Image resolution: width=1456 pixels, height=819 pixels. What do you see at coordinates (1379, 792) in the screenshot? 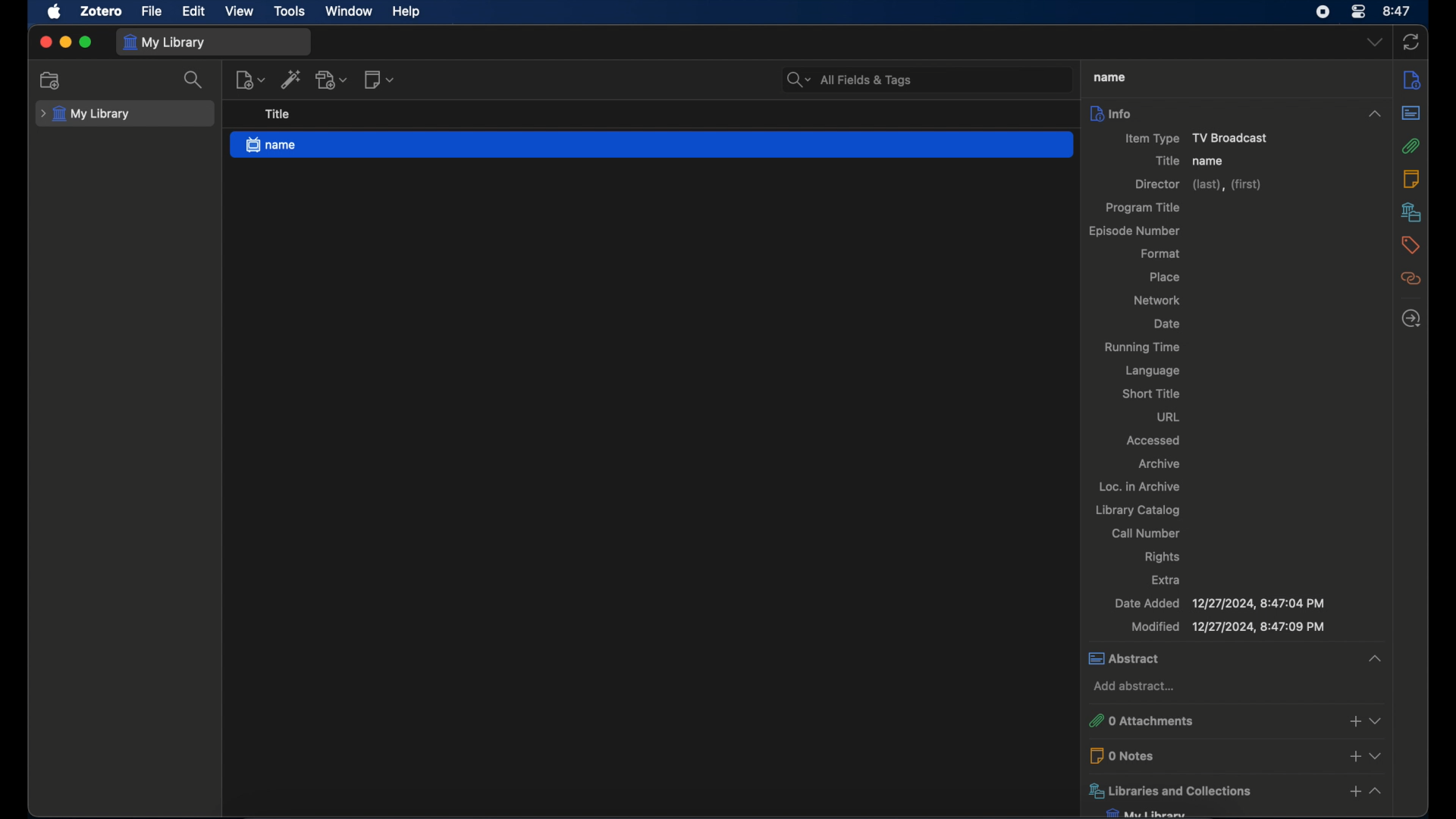
I see `collapse` at bounding box center [1379, 792].